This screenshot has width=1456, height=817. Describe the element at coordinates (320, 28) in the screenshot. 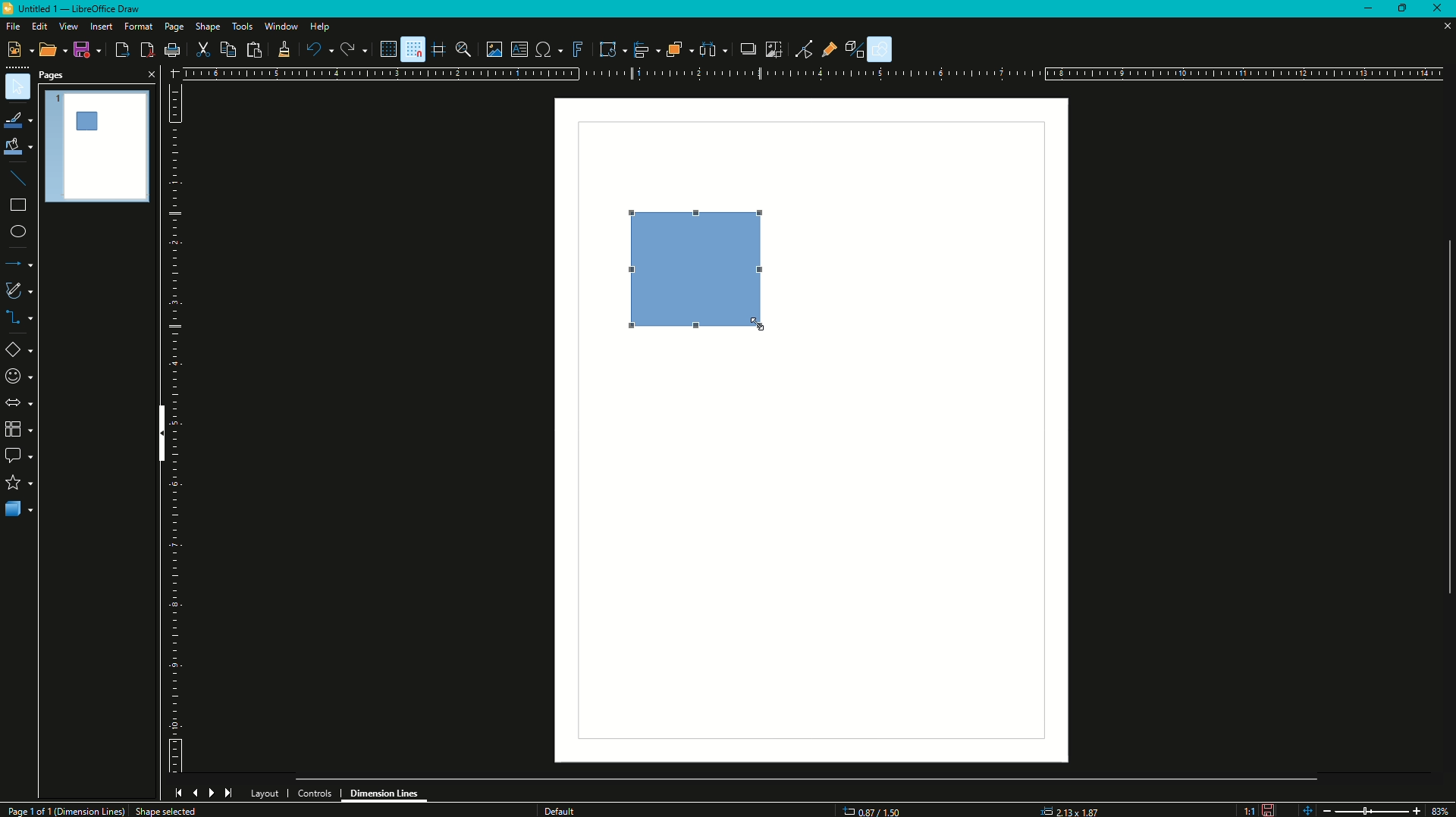

I see `Help` at that location.